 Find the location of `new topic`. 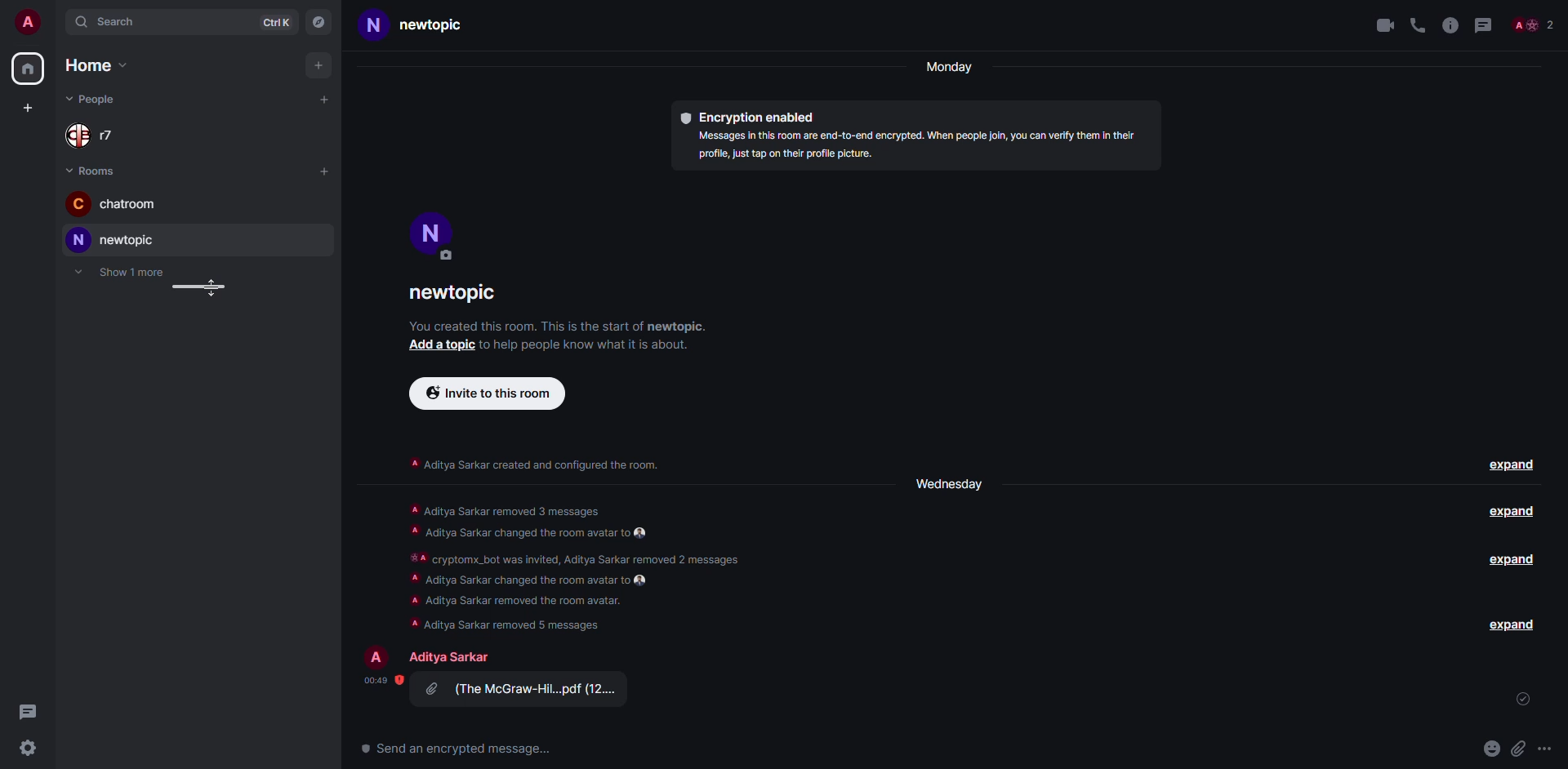

new topic is located at coordinates (111, 239).